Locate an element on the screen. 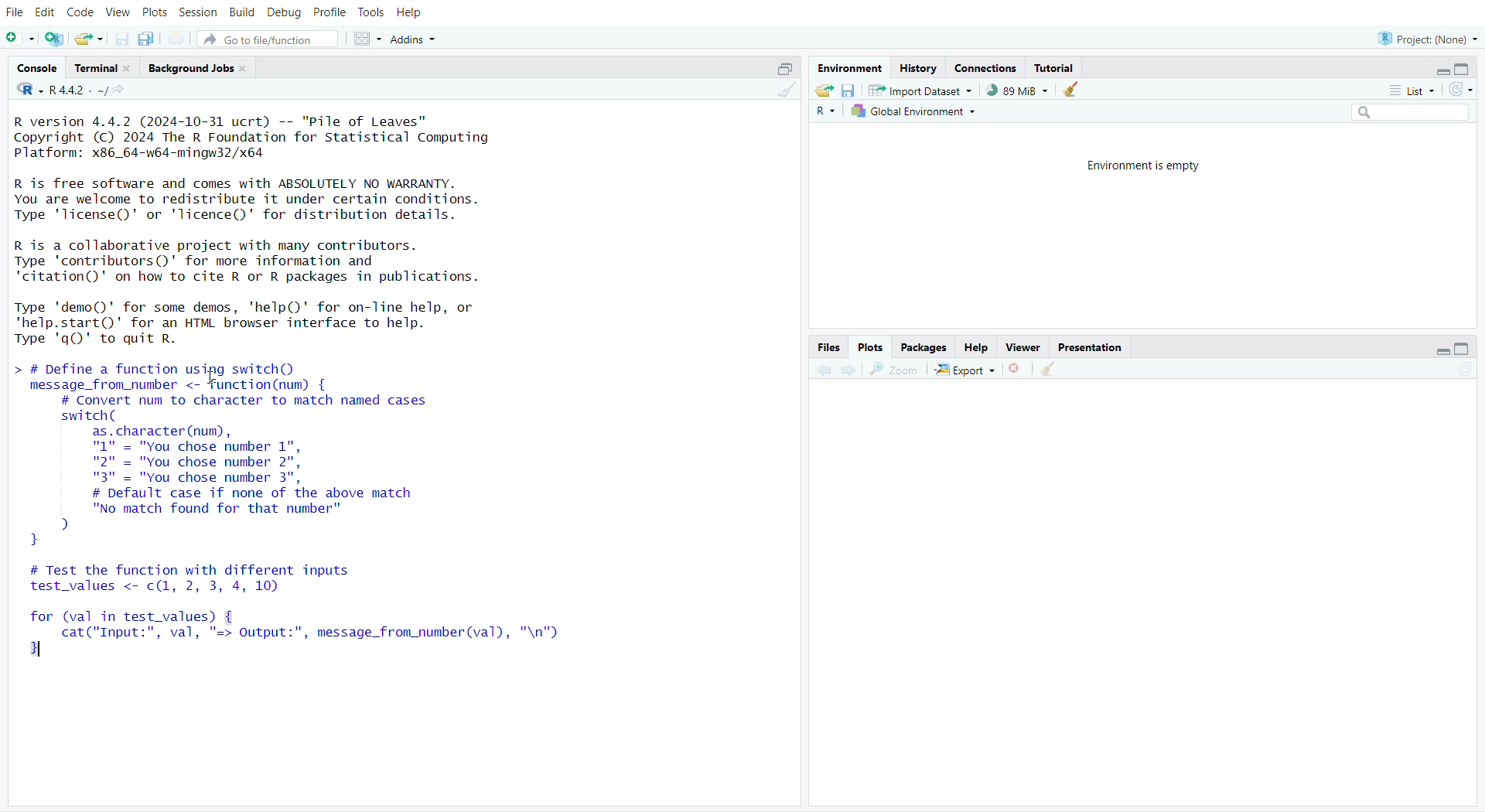  List is located at coordinates (1411, 90).